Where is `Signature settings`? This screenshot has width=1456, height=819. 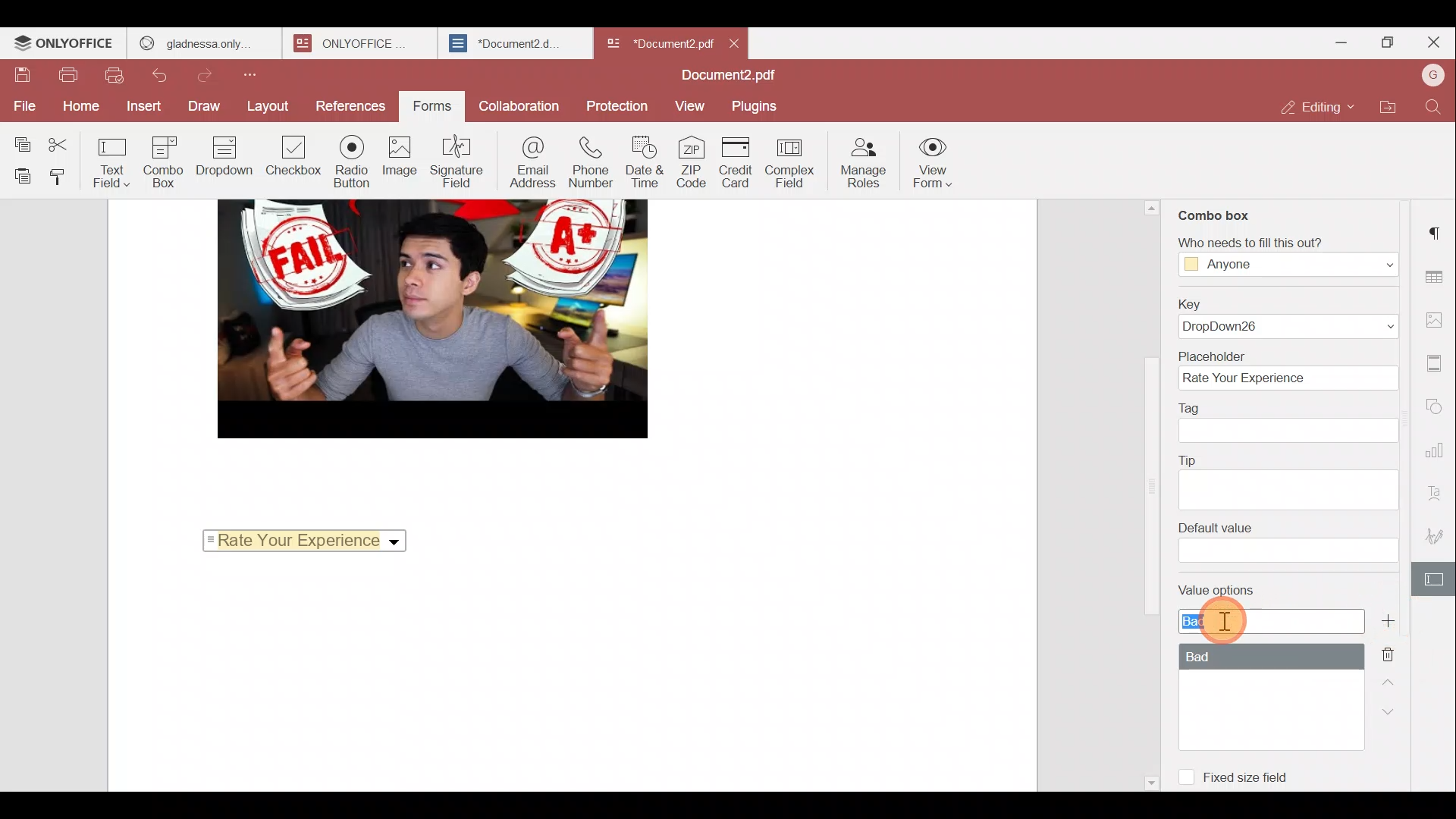
Signature settings is located at coordinates (1437, 532).